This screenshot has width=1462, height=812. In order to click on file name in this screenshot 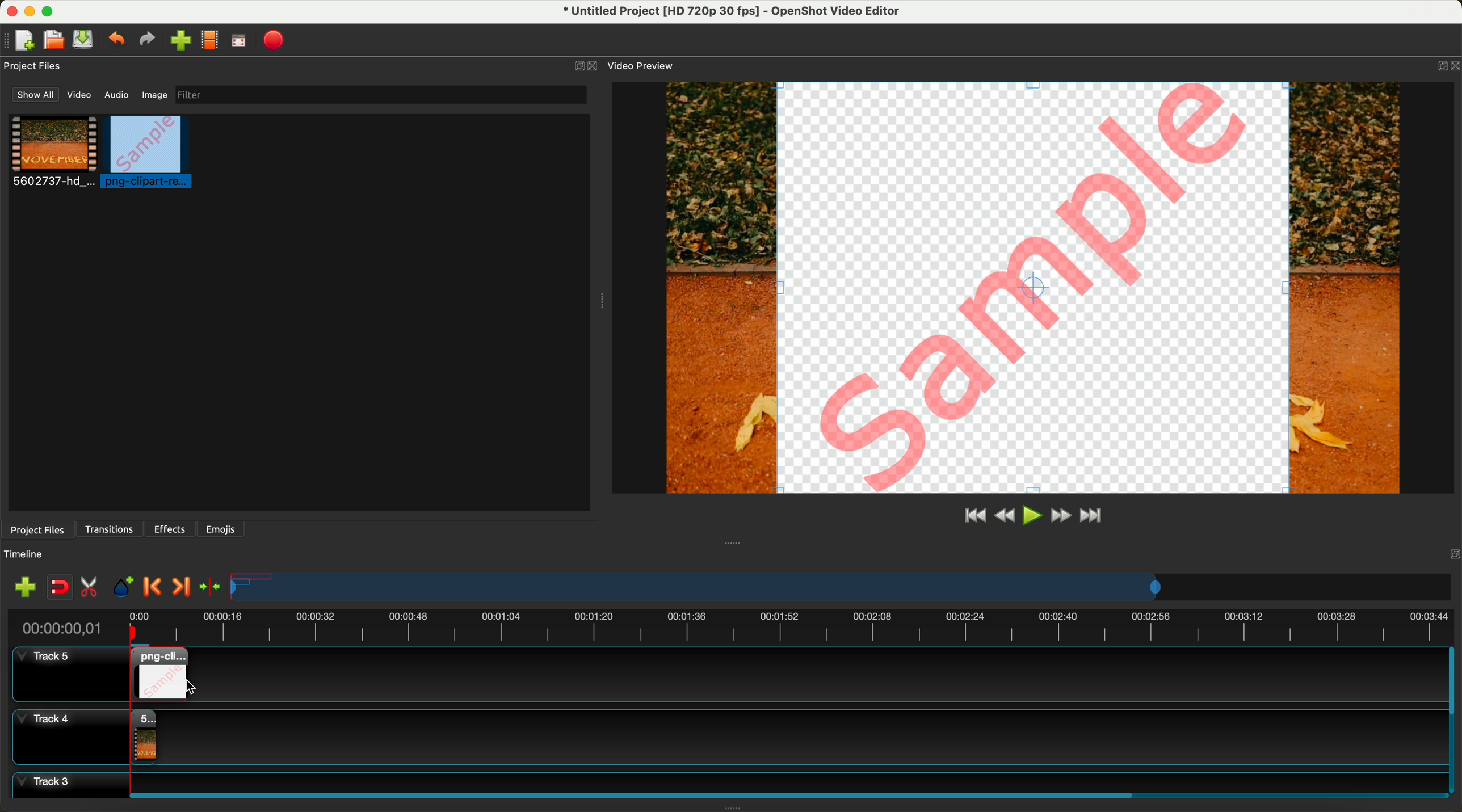, I will do `click(725, 13)`.